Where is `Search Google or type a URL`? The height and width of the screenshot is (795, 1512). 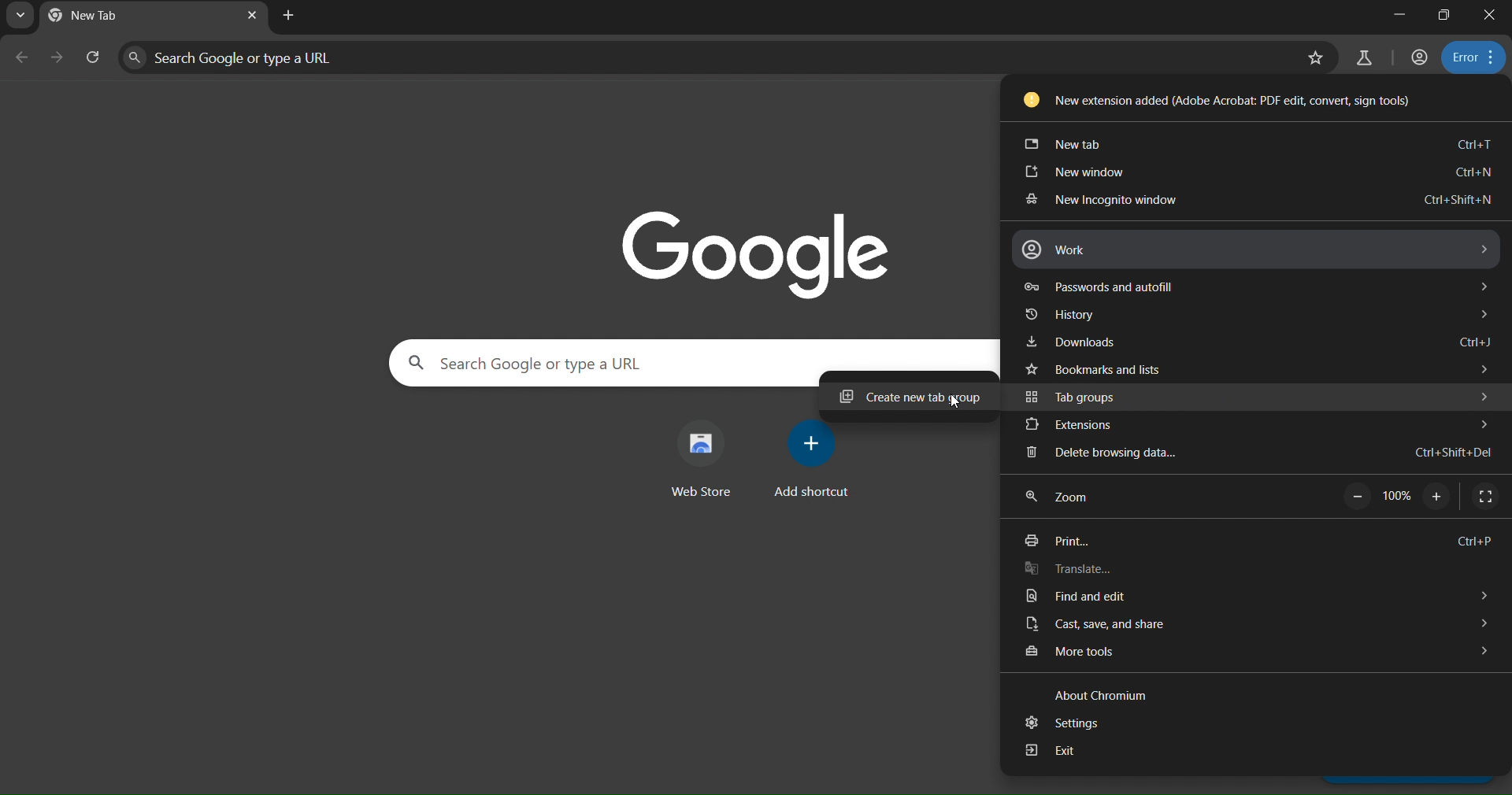
Search Google or type a URL is located at coordinates (243, 60).